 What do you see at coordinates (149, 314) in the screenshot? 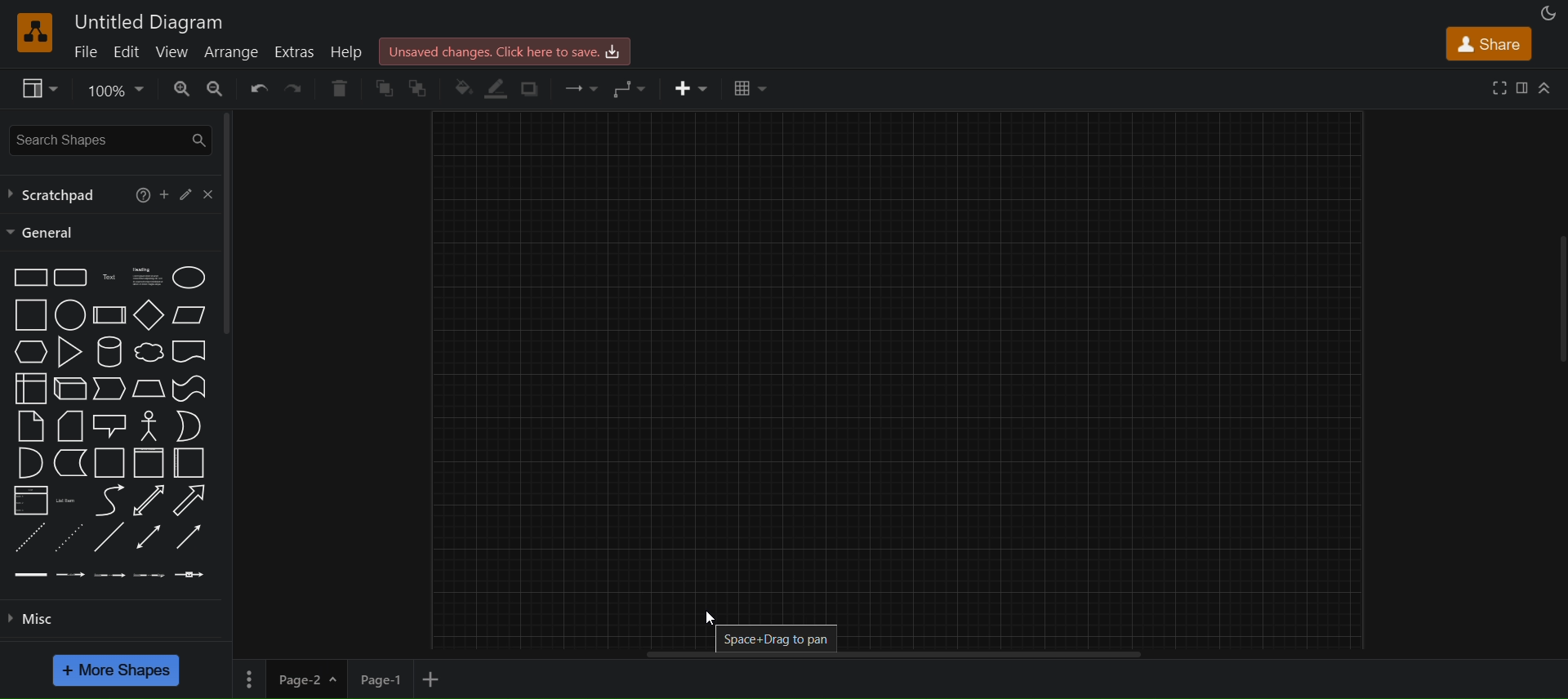
I see `diamond` at bounding box center [149, 314].